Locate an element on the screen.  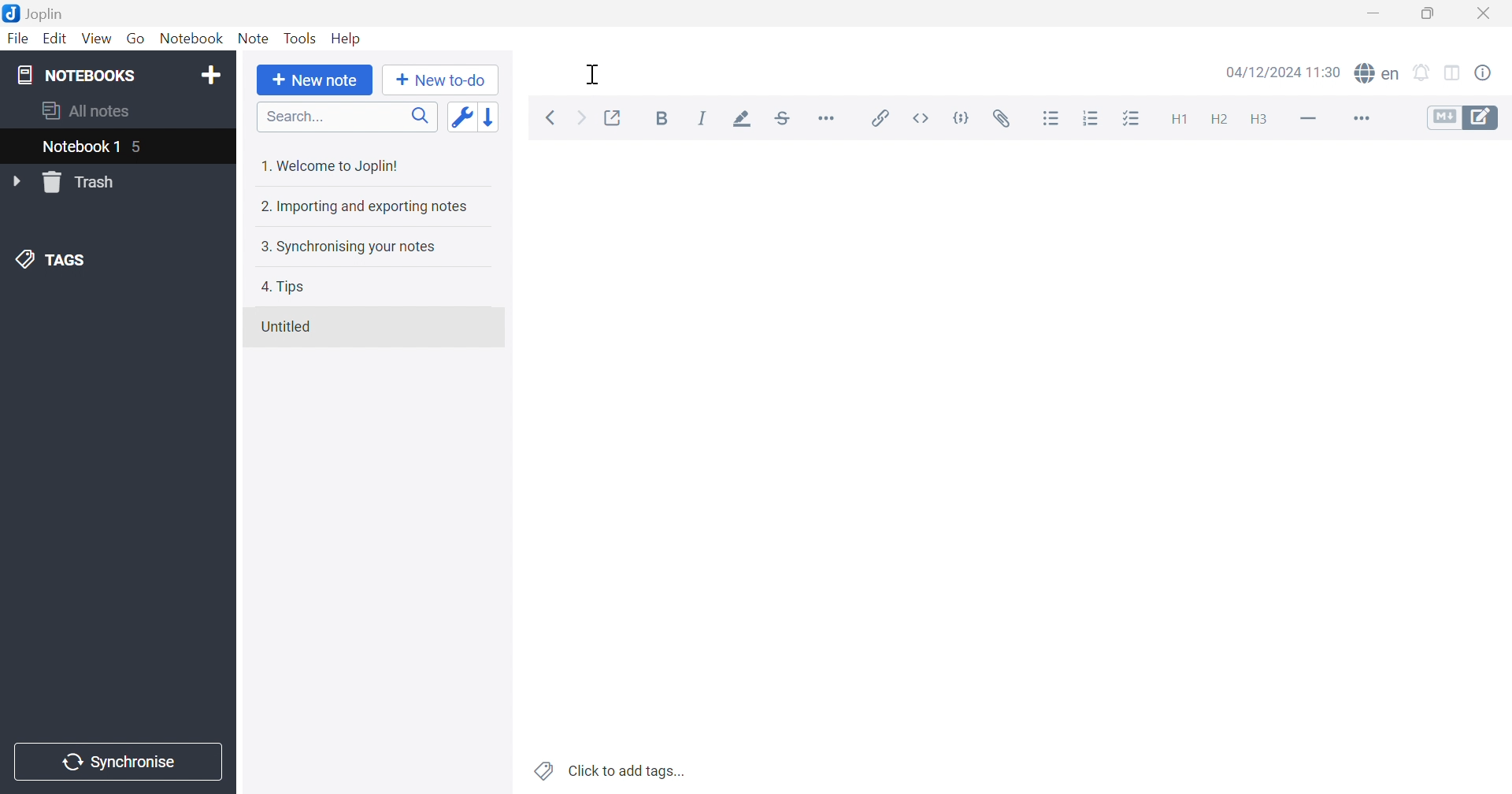
Go is located at coordinates (138, 39).